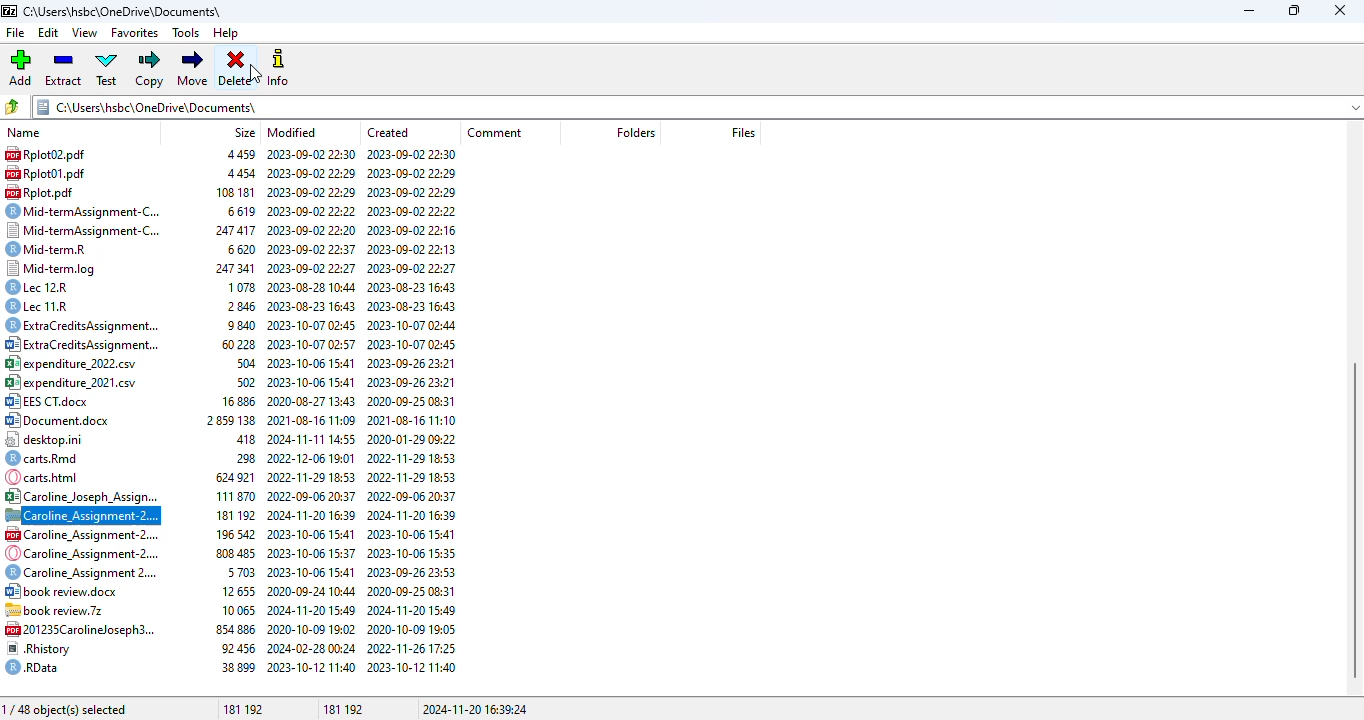 The width and height of the screenshot is (1364, 720). I want to click on files, so click(744, 132).